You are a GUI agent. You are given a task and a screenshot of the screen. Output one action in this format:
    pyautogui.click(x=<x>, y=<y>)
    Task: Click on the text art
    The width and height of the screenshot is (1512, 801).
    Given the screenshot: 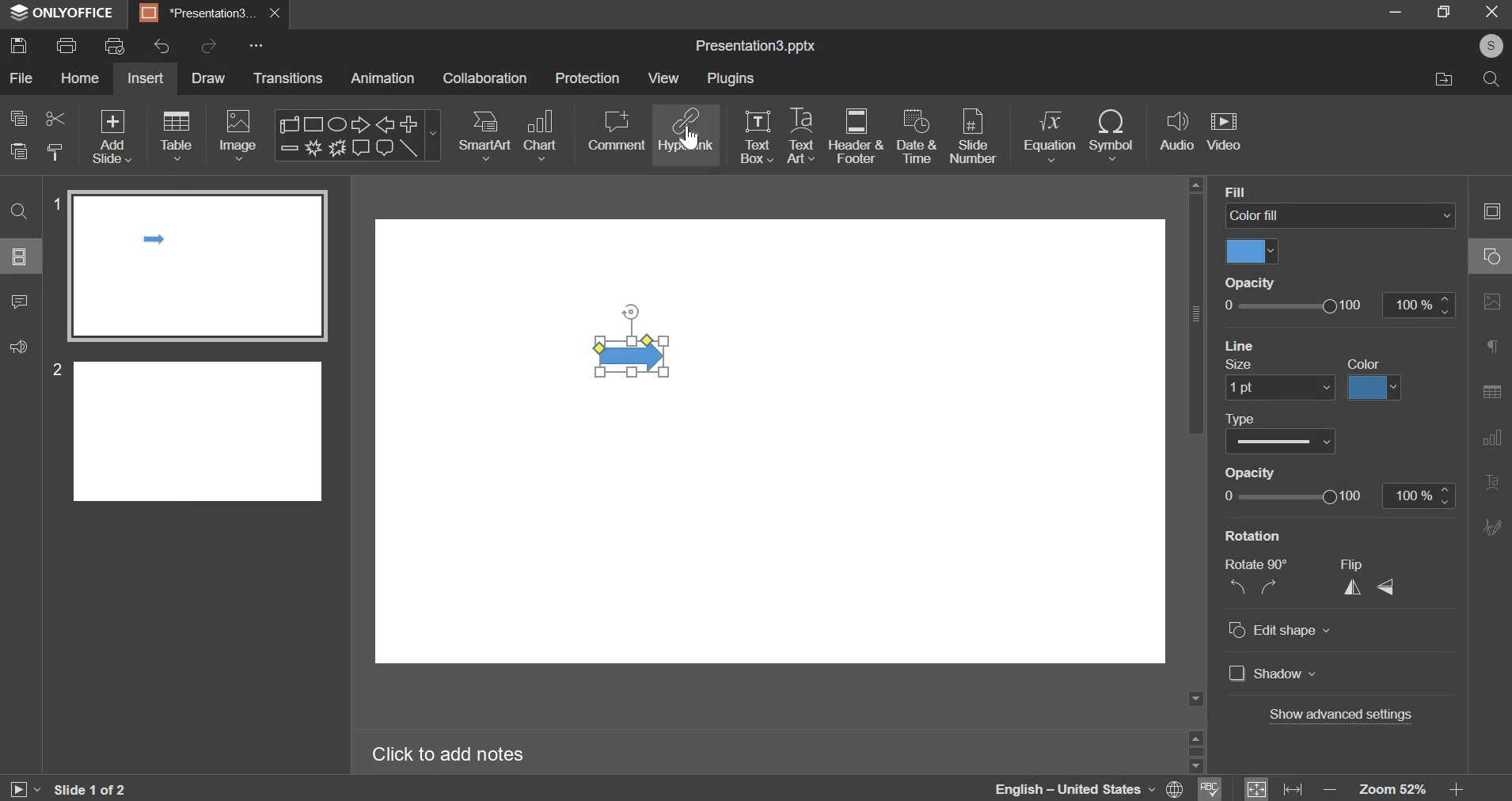 What is the action you would take?
    pyautogui.click(x=800, y=135)
    